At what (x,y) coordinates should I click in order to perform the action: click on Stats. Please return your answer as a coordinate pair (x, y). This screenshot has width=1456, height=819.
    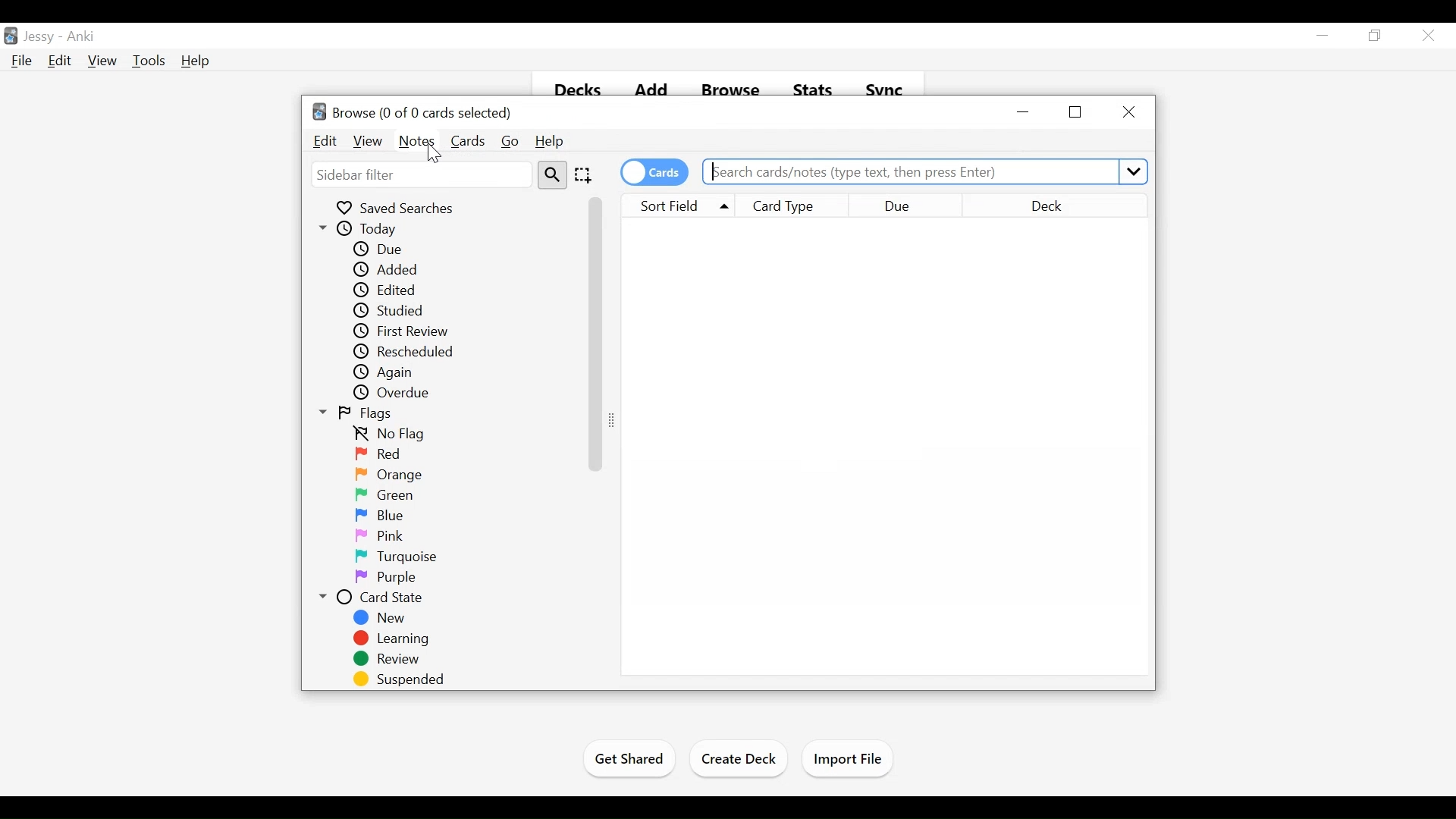
    Looking at the image, I should click on (811, 86).